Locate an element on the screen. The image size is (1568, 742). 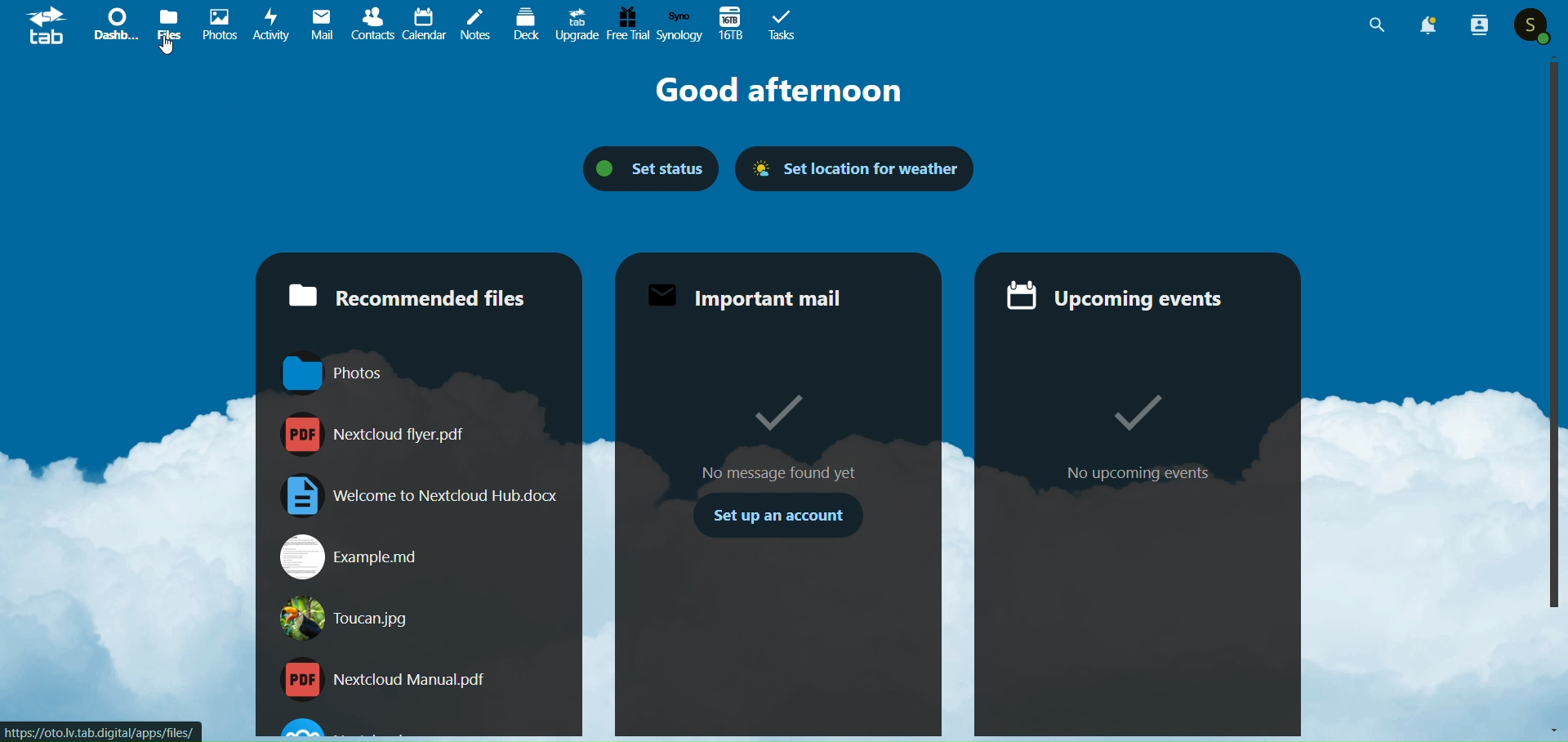
Nextcloud Manual.pdf is located at coordinates (420, 680).